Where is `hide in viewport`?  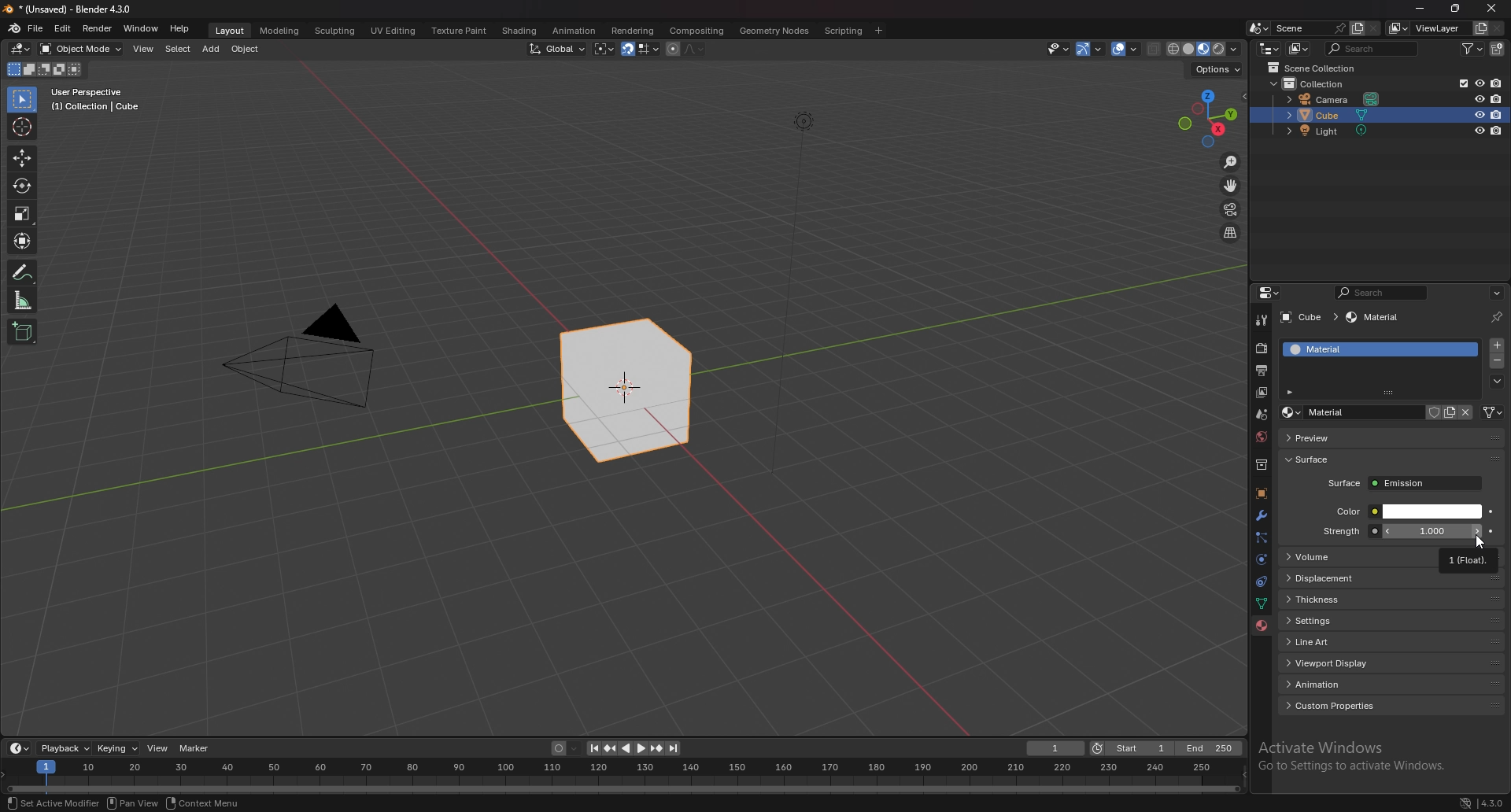
hide in viewport is located at coordinates (1479, 98).